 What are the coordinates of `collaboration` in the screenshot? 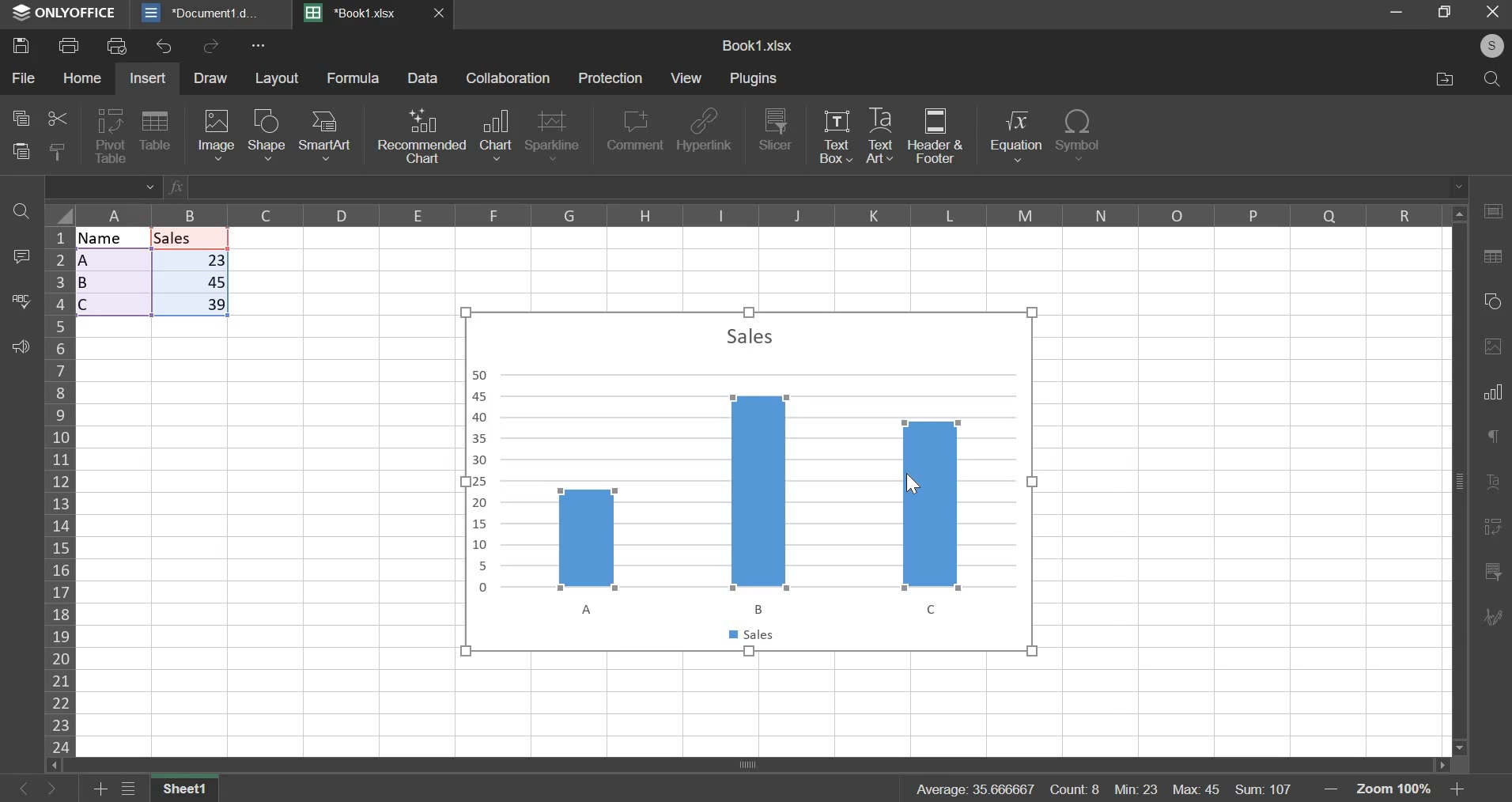 It's located at (508, 78).